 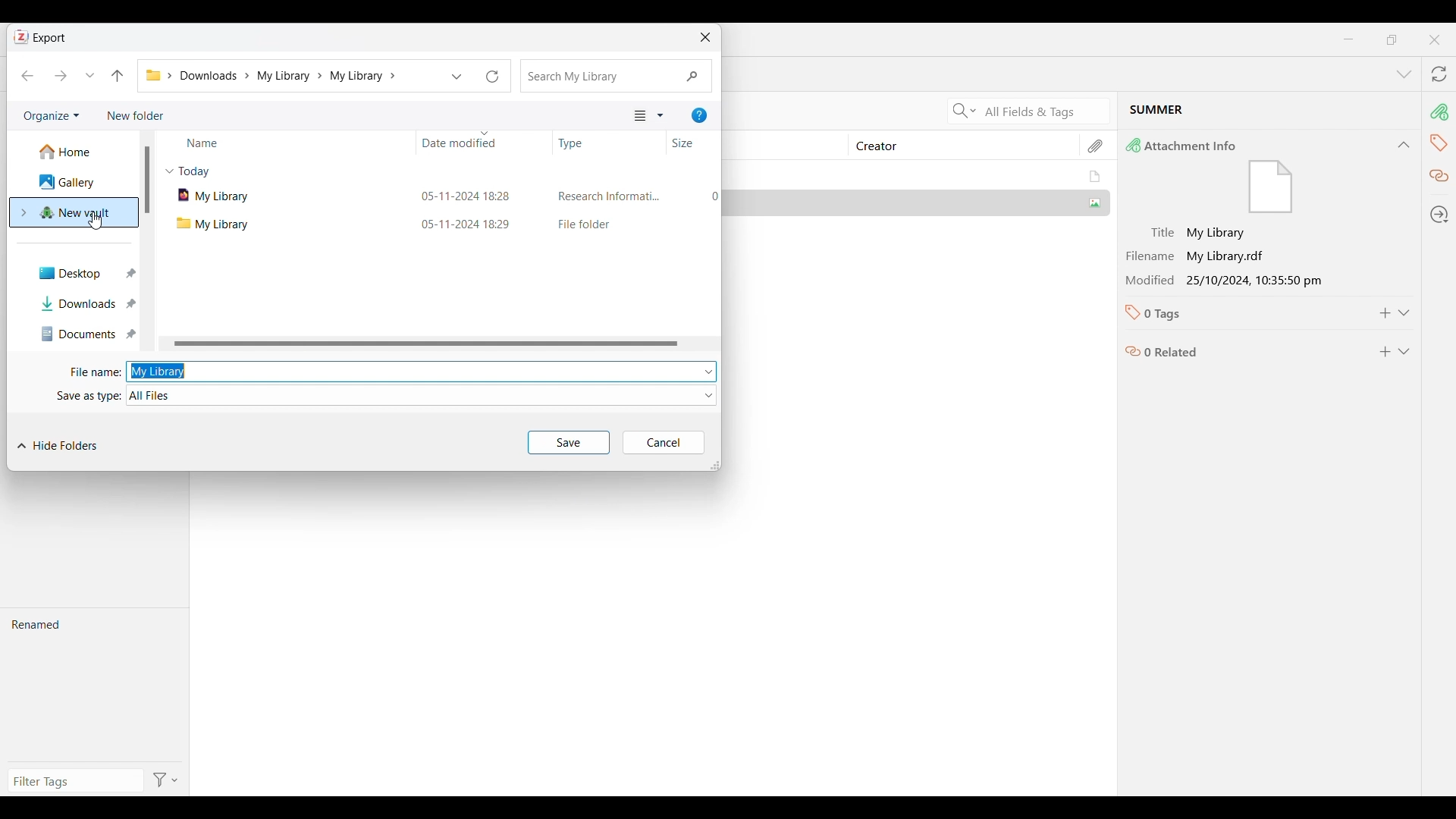 I want to click on Documents , so click(x=82, y=334).